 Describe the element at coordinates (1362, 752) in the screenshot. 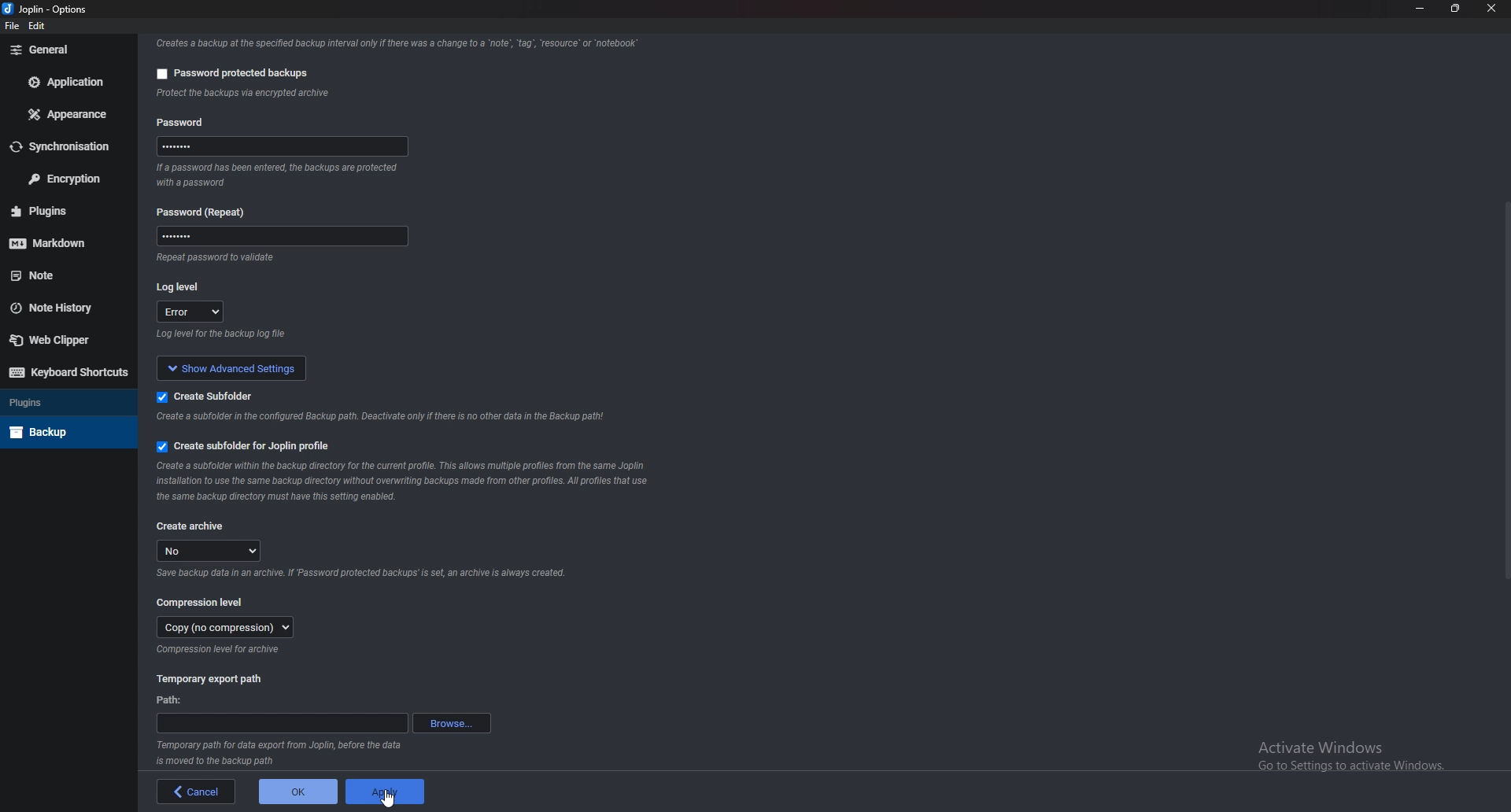

I see `activate windows` at that location.